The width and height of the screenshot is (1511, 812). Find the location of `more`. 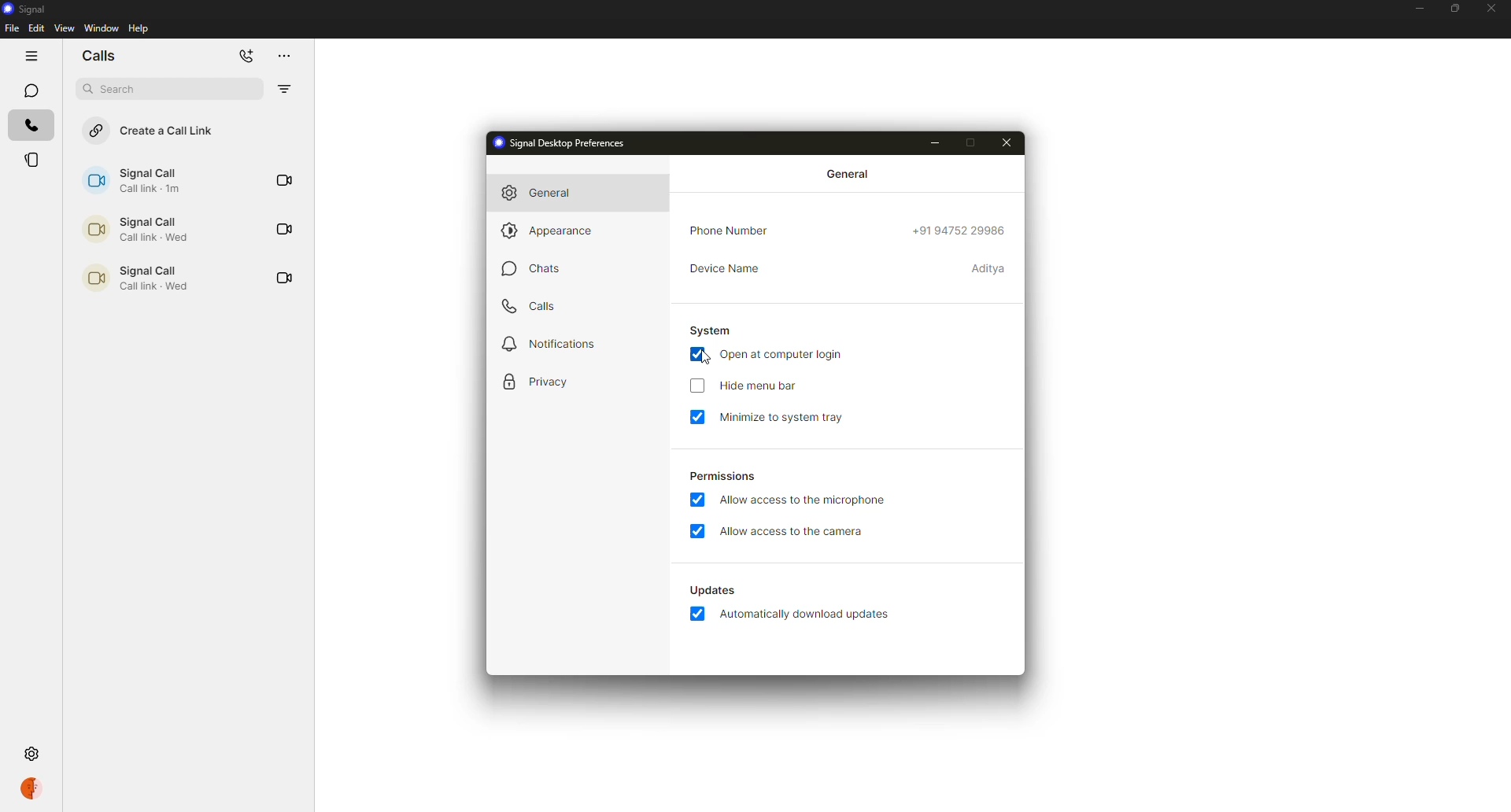

more is located at coordinates (282, 55).